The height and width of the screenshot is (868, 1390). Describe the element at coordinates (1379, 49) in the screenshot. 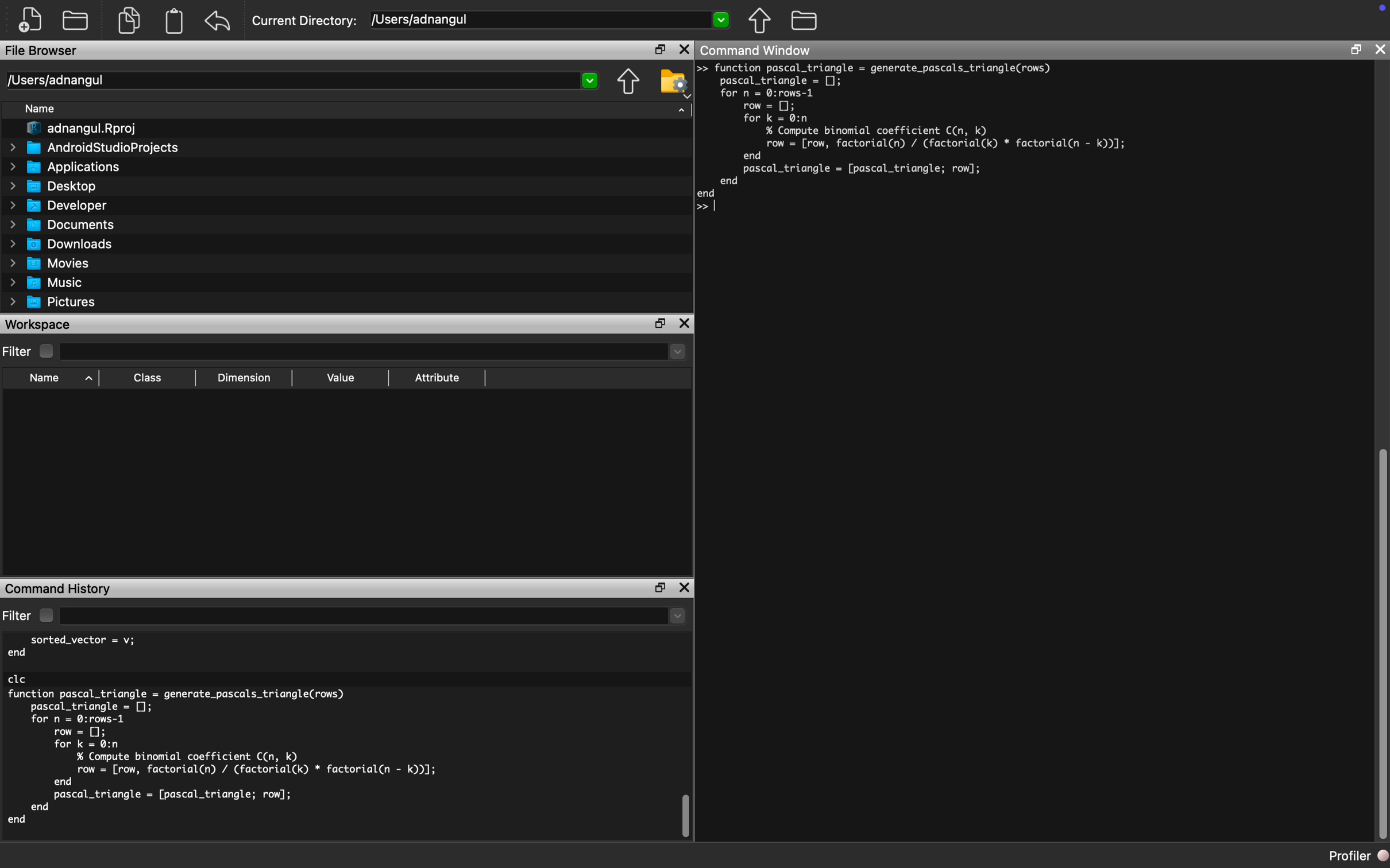

I see `Close` at that location.